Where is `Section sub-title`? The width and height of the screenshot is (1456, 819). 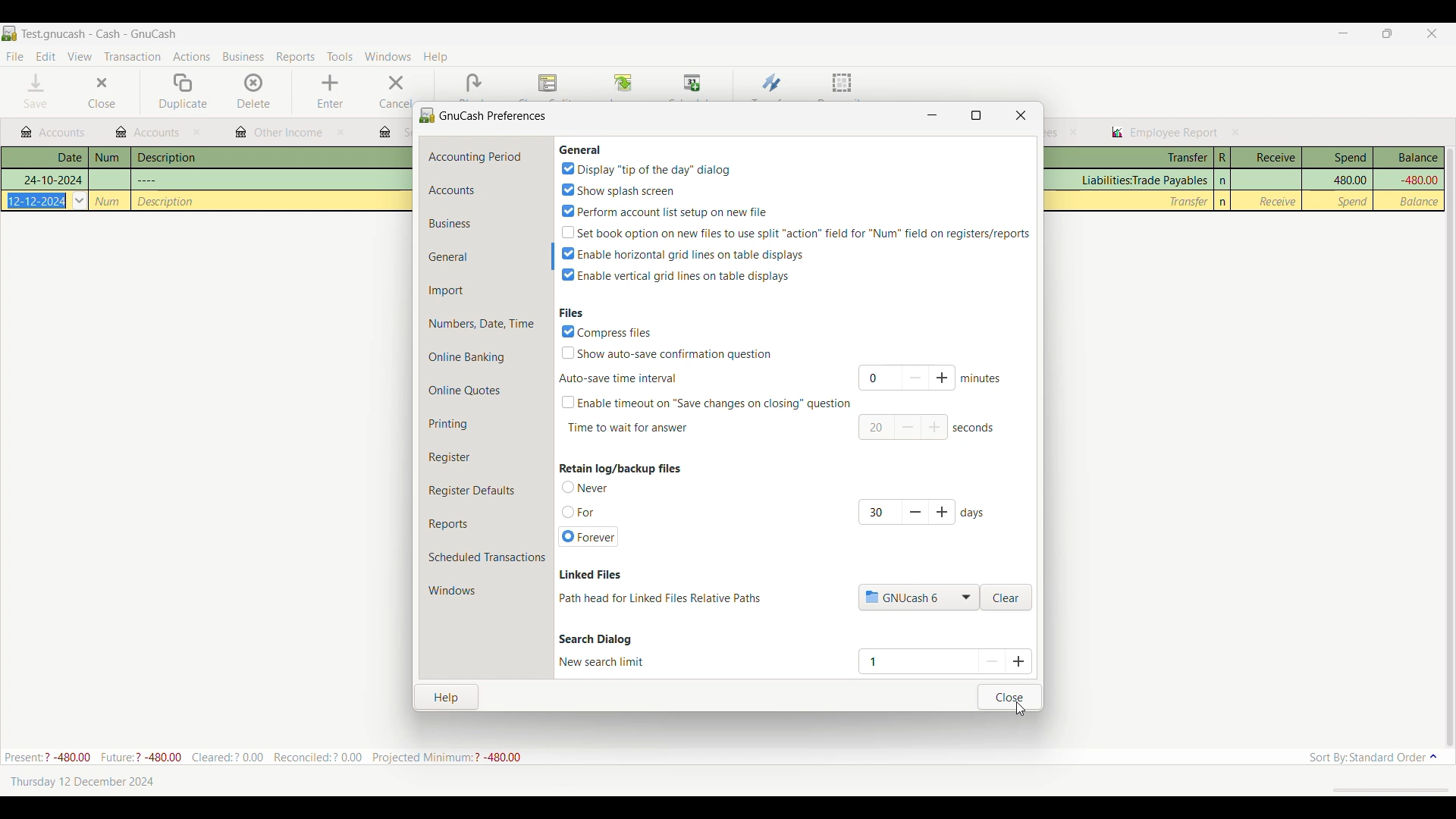 Section sub-title is located at coordinates (617, 378).